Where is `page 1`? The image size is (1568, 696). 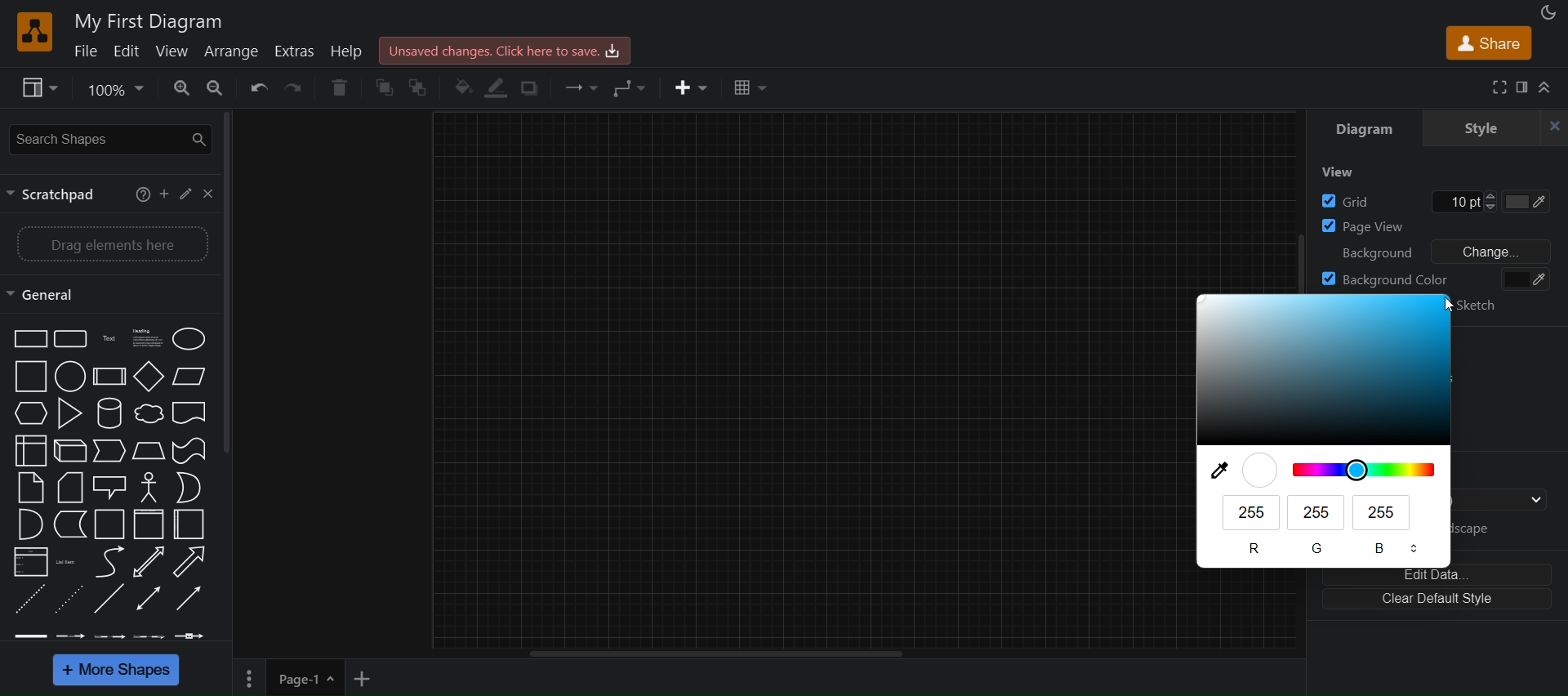 page 1 is located at coordinates (287, 677).